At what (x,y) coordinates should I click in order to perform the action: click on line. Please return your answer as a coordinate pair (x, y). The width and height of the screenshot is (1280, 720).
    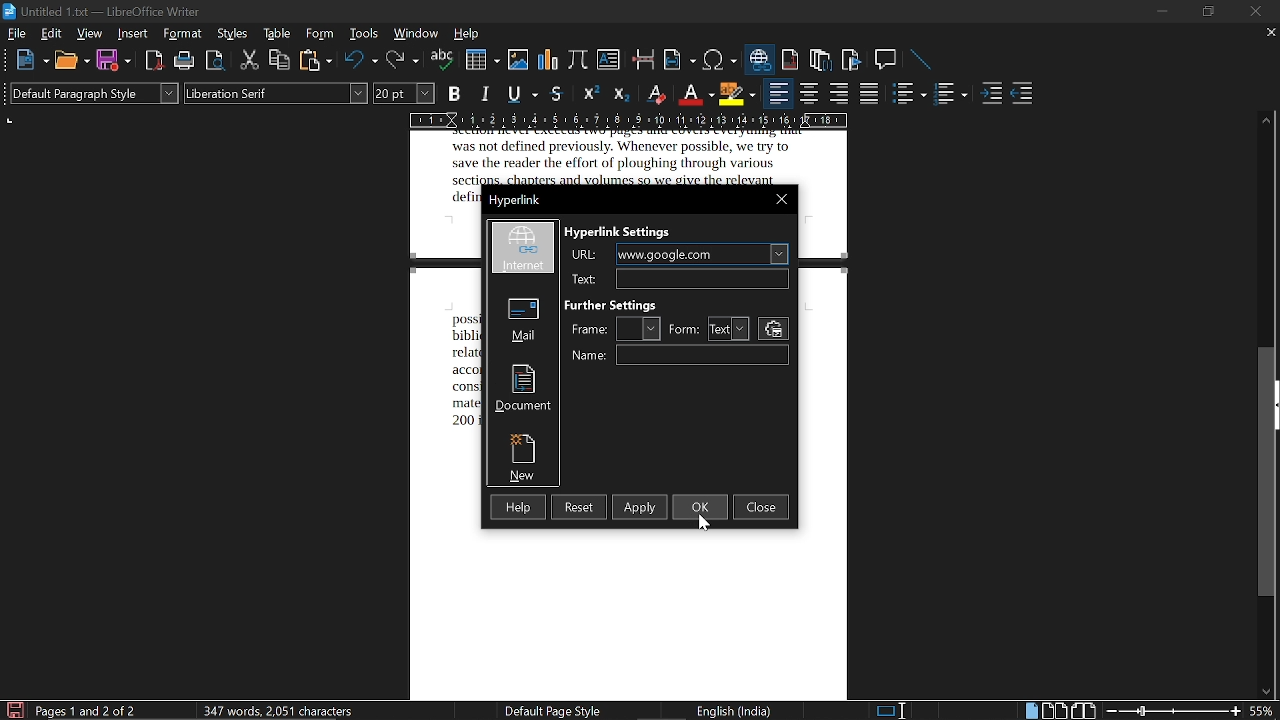
    Looking at the image, I should click on (922, 60).